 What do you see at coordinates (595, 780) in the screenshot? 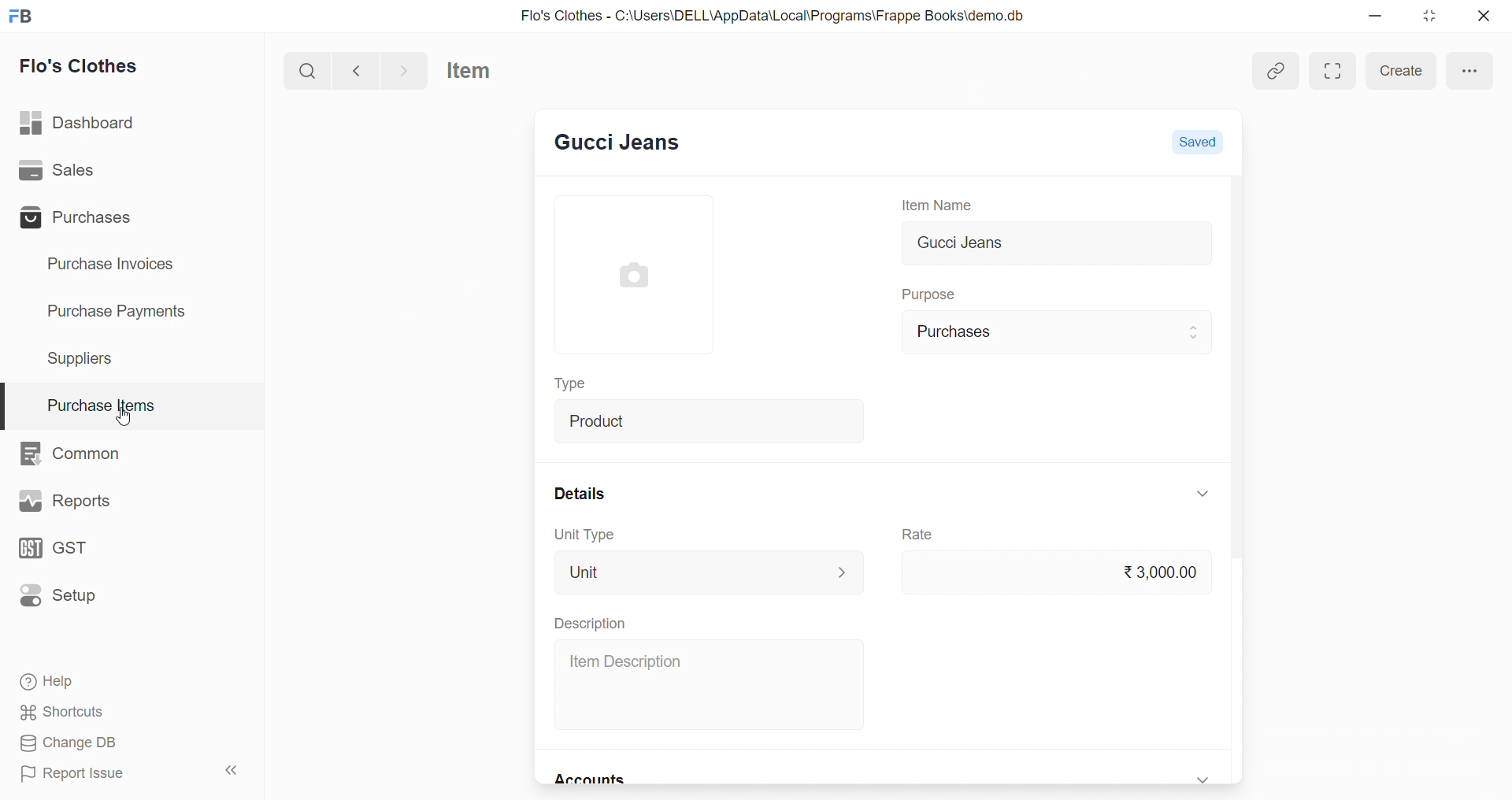
I see `Accounts` at bounding box center [595, 780].